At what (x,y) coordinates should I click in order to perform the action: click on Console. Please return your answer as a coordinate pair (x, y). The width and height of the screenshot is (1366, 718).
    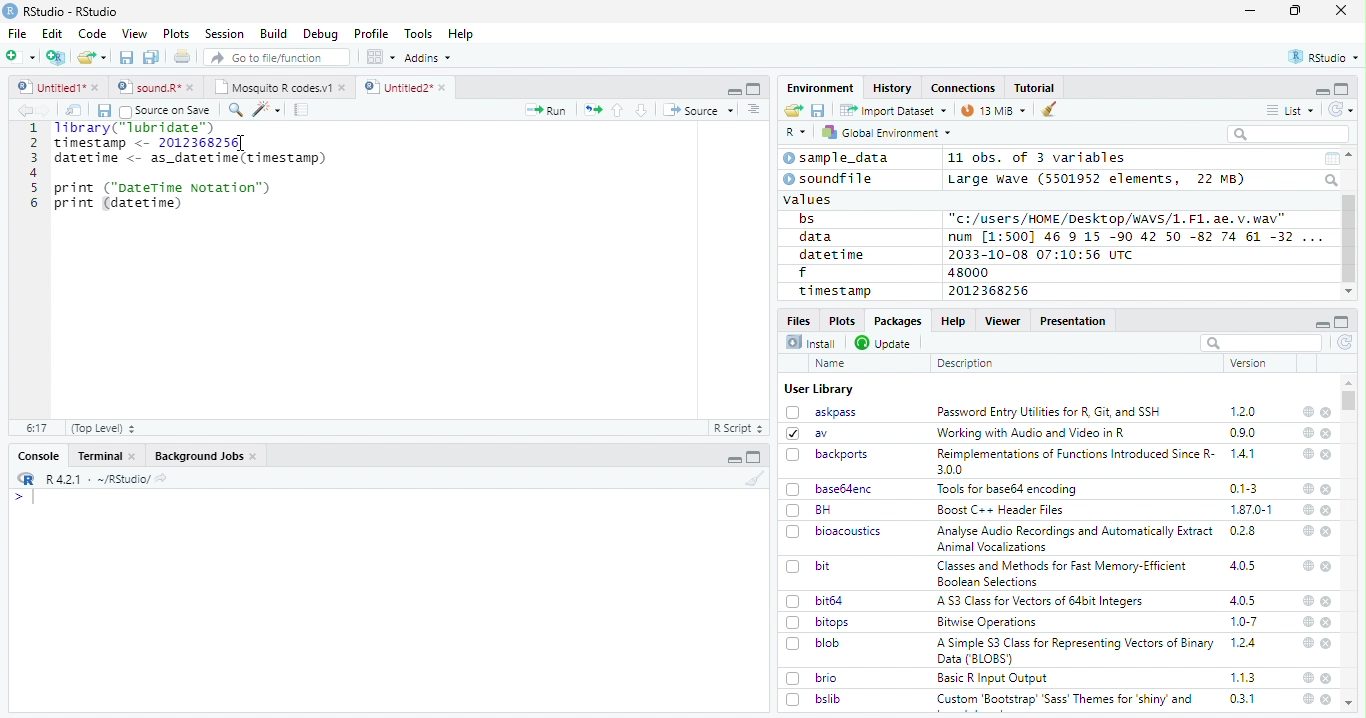
    Looking at the image, I should click on (38, 456).